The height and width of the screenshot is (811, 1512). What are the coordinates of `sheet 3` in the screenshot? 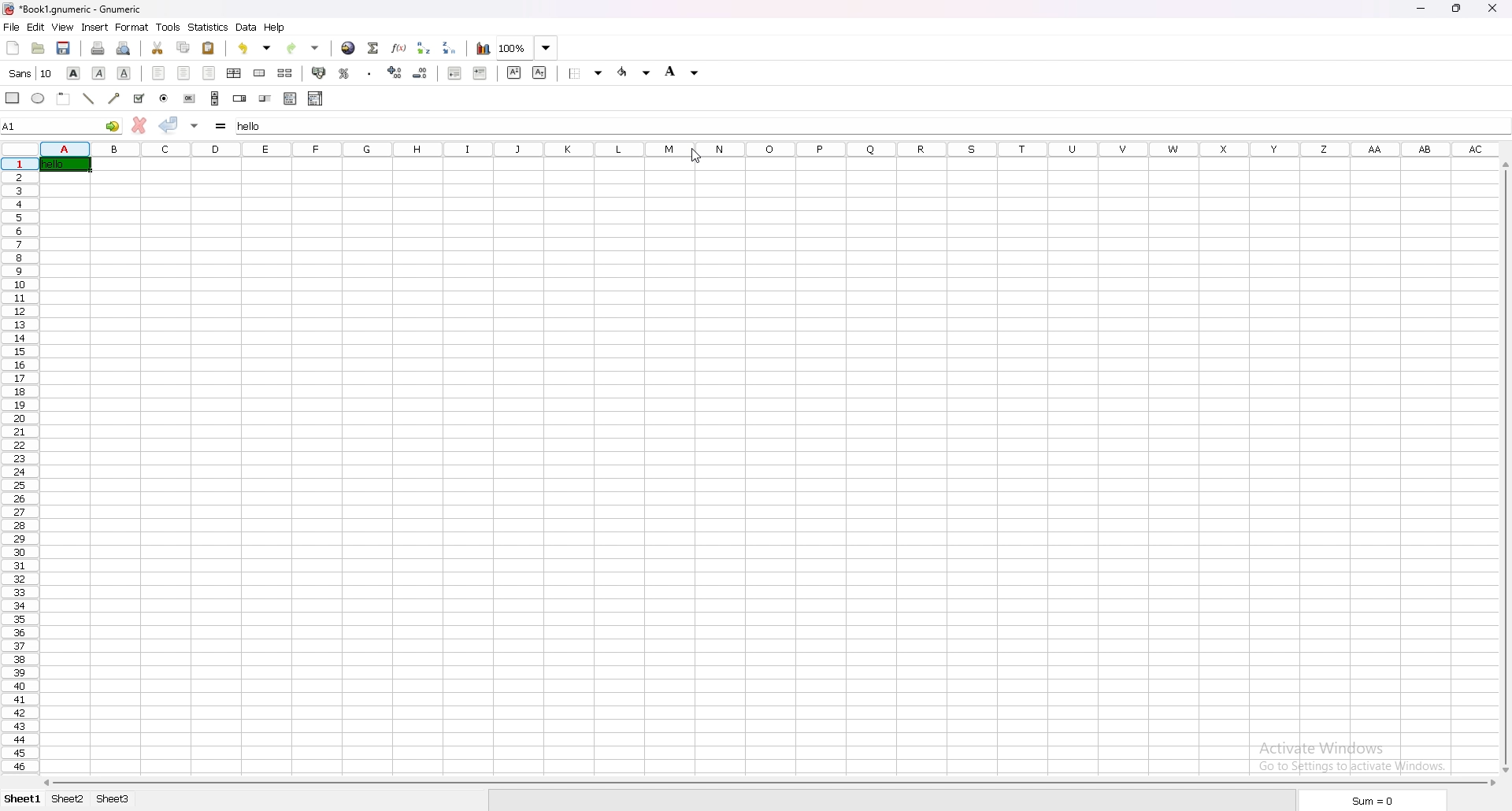 It's located at (113, 798).